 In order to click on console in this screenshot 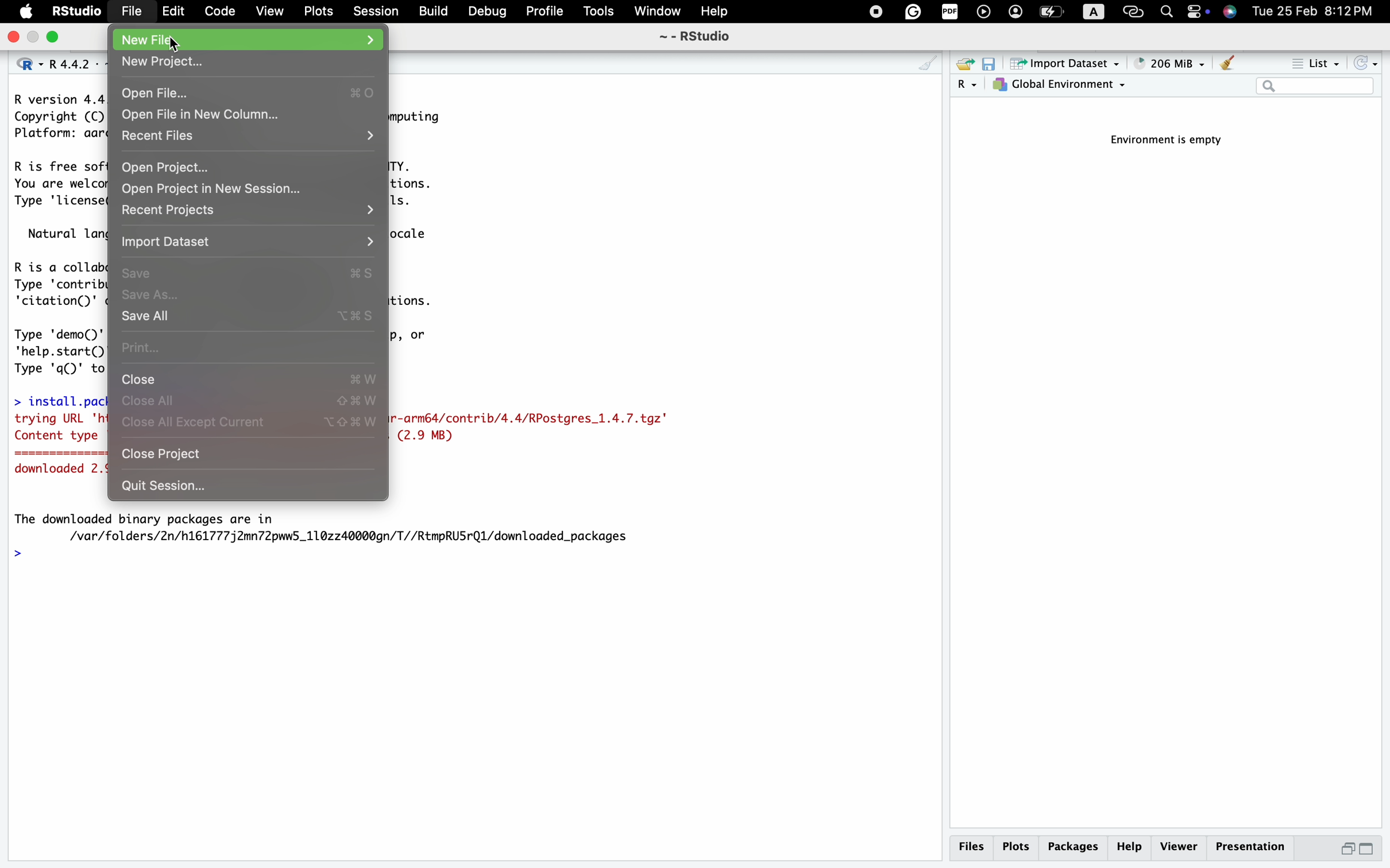, I will do `click(927, 64)`.